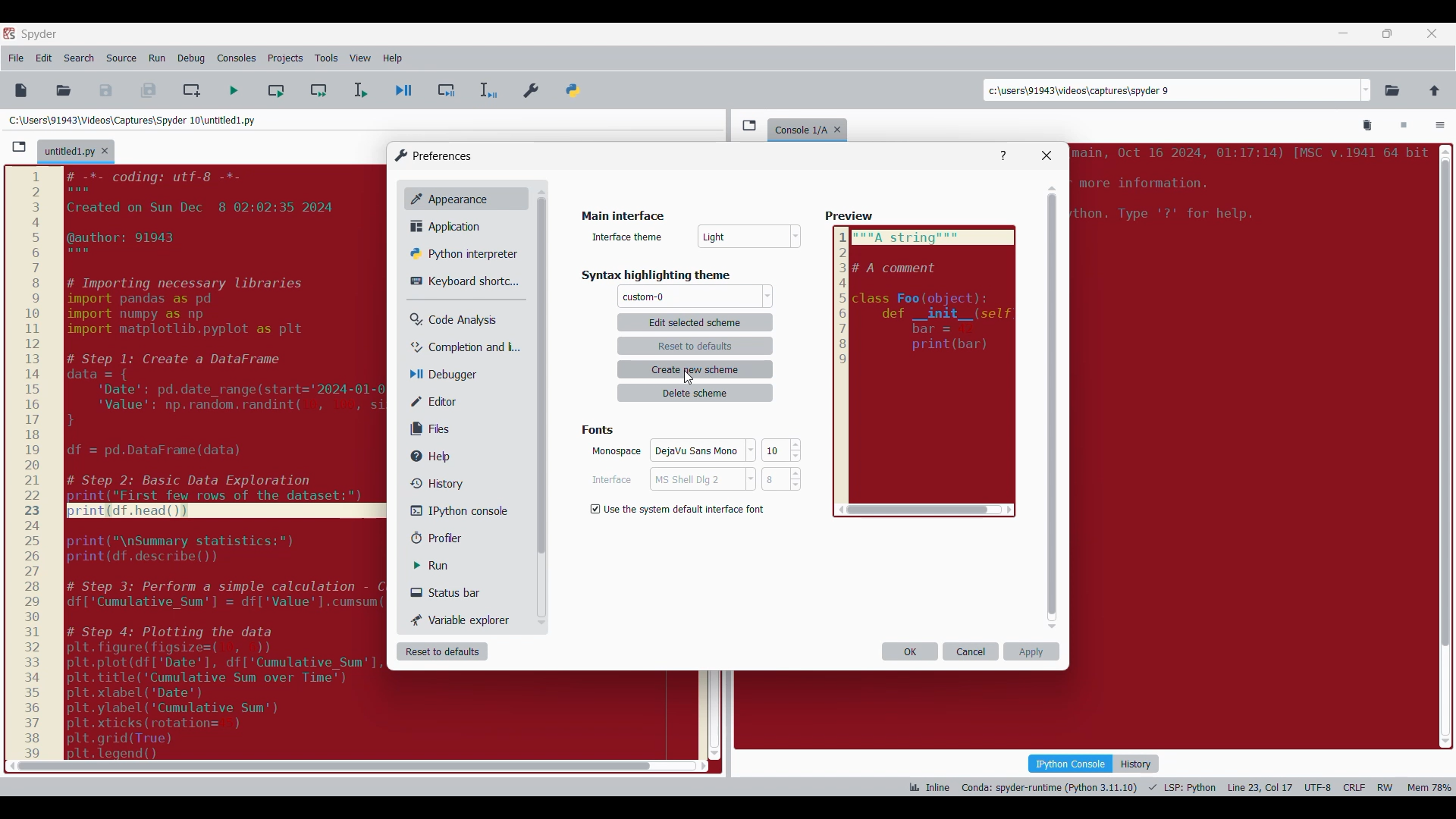  I want to click on Browse a working directory, so click(1392, 90).